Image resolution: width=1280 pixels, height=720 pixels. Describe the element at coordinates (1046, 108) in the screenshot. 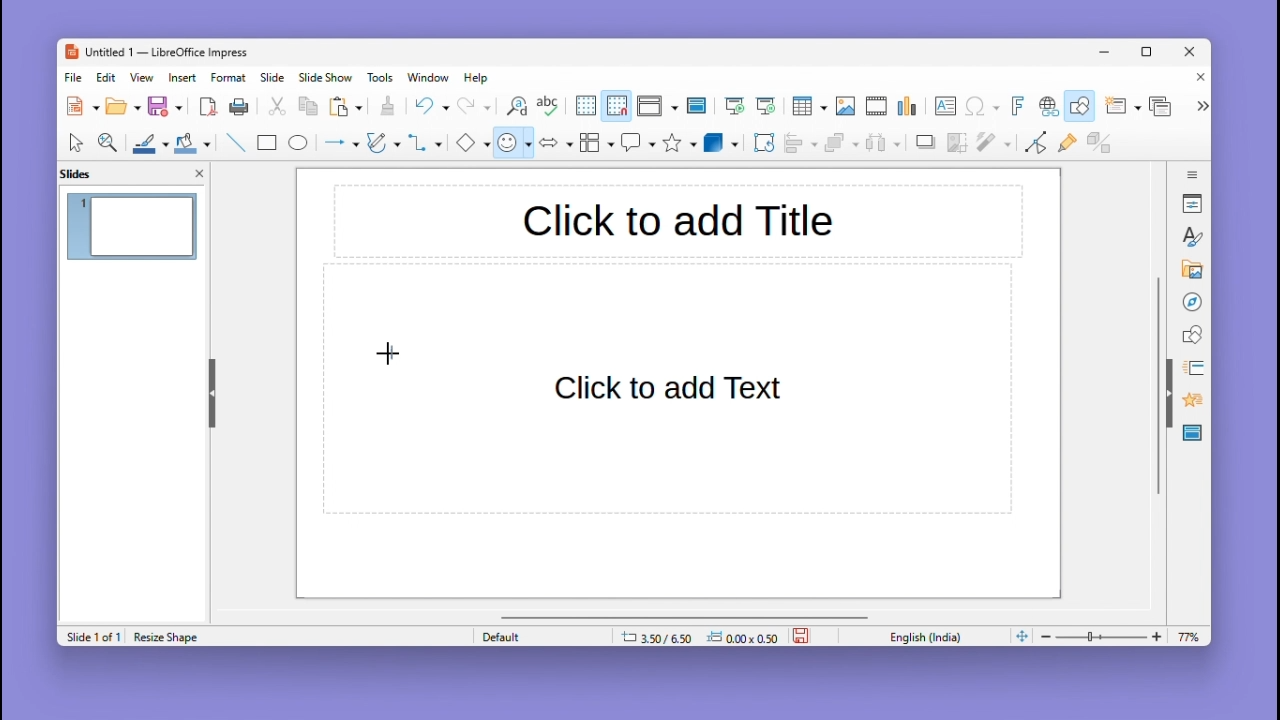

I see `Hyperlink` at that location.